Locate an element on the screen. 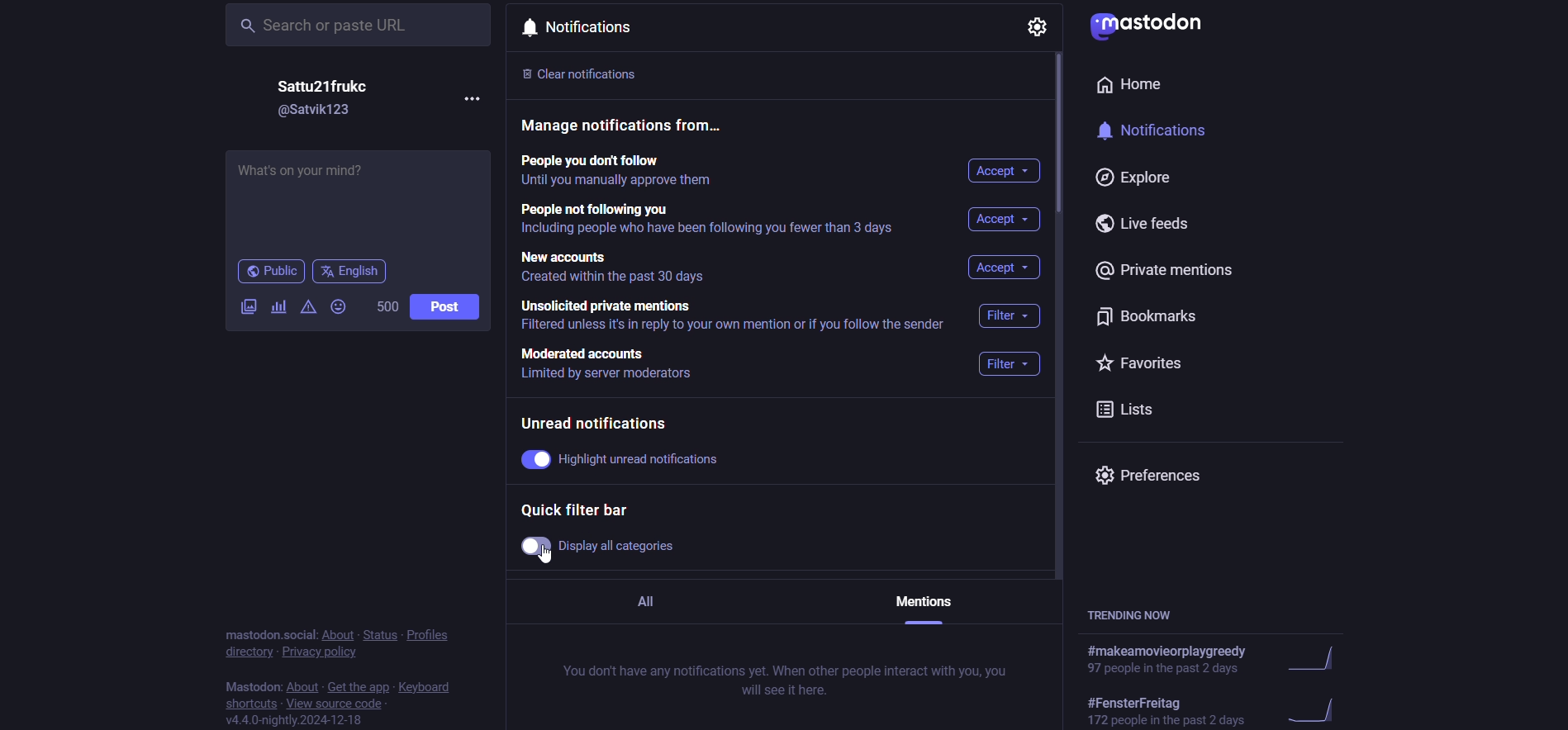 This screenshot has width=1568, height=730. @Satvik123 is located at coordinates (317, 114).